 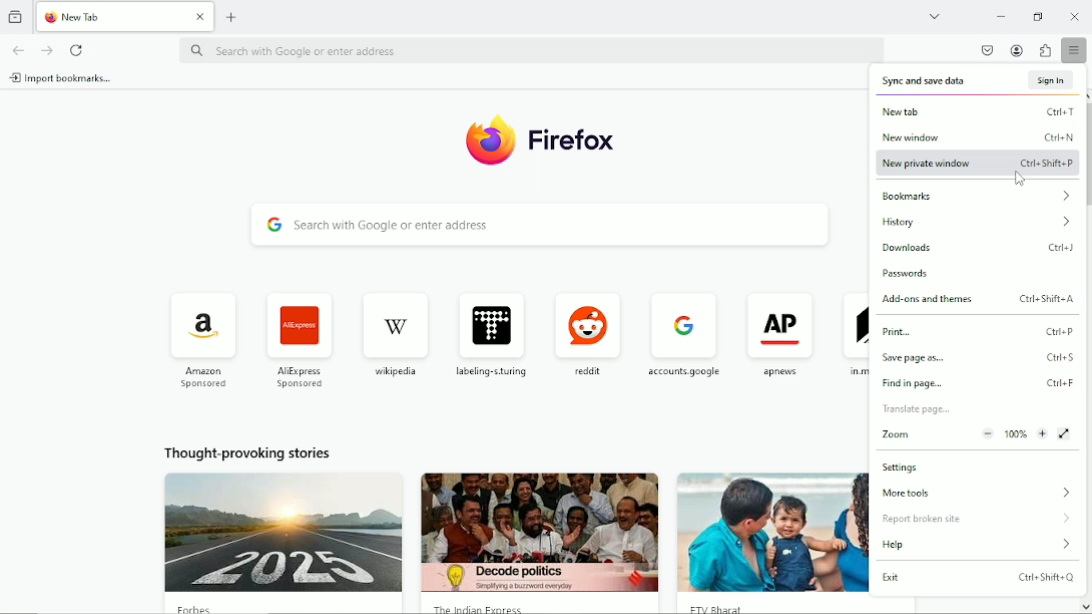 I want to click on downloads, so click(x=978, y=248).